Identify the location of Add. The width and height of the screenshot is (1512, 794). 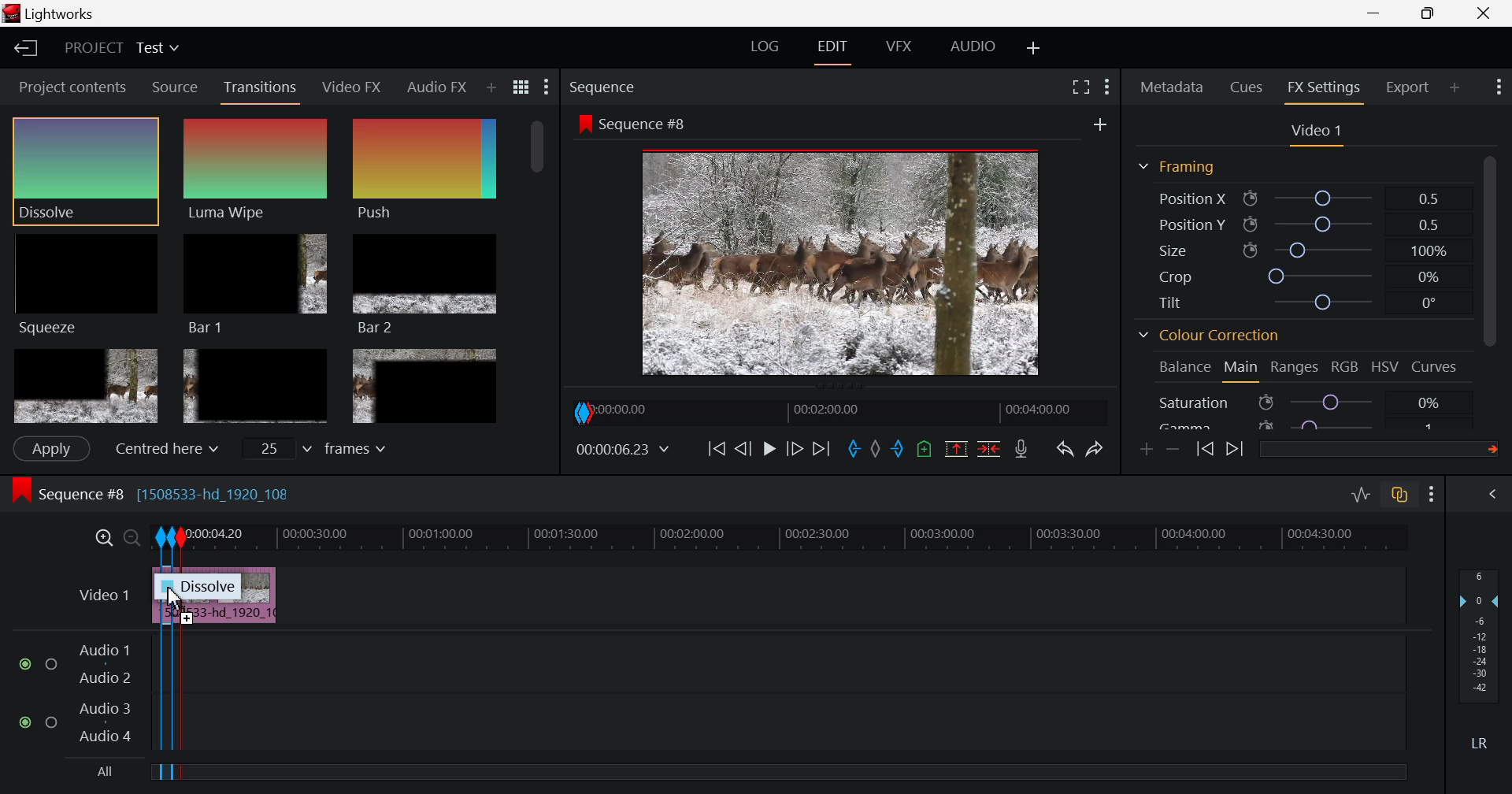
(1100, 124).